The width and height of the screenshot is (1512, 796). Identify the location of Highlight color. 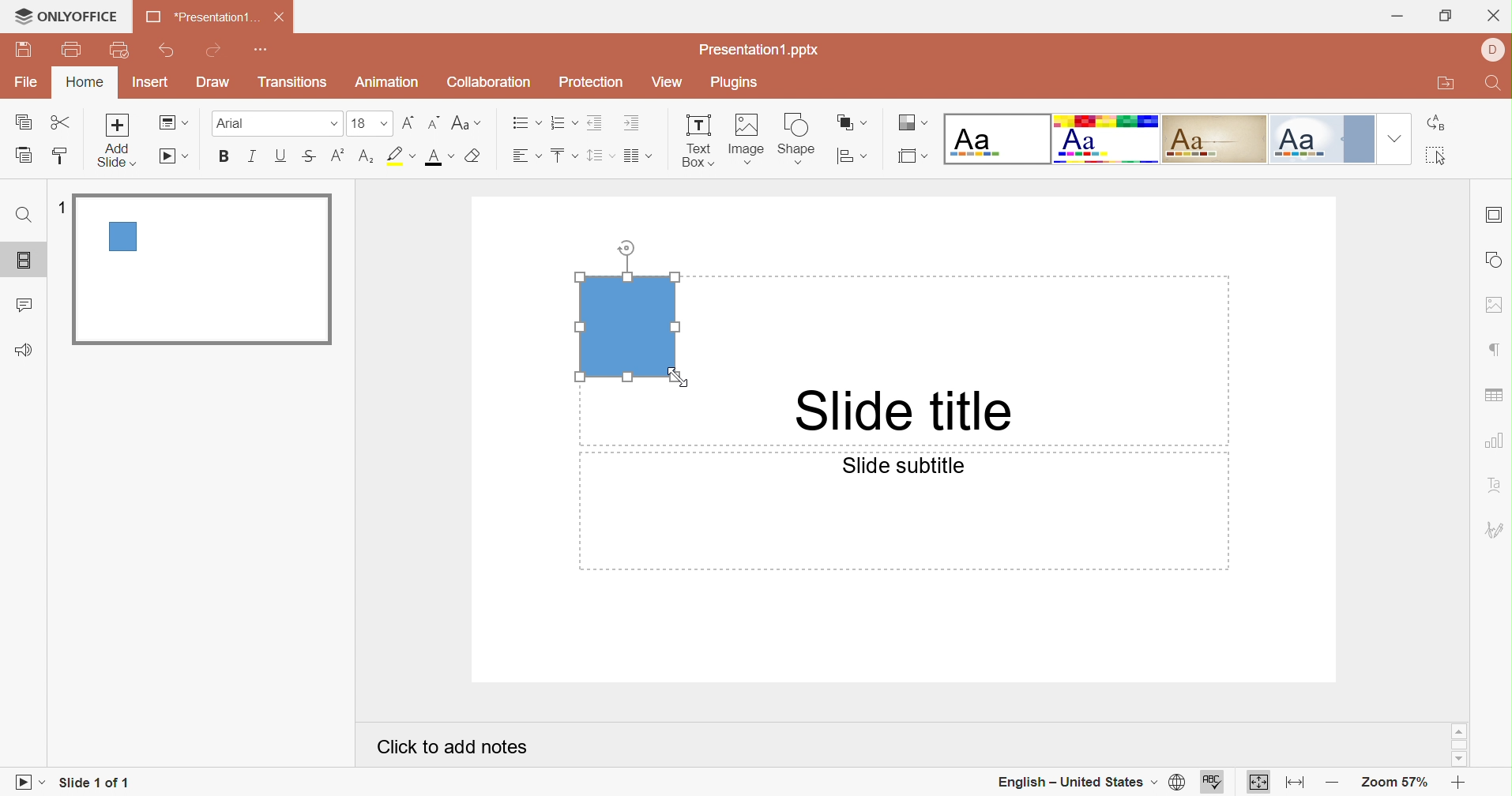
(400, 157).